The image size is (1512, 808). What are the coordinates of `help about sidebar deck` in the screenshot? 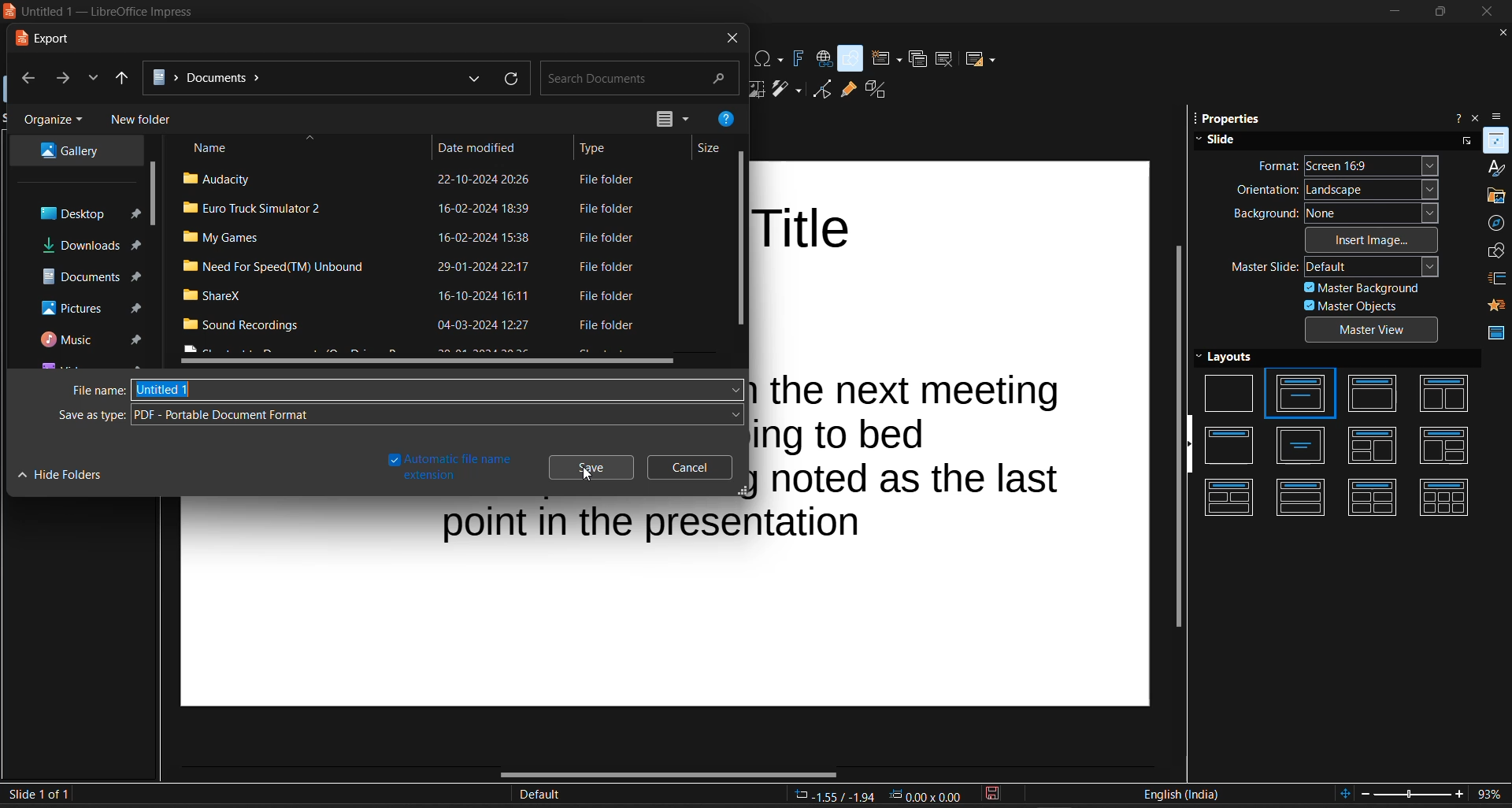 It's located at (1456, 117).